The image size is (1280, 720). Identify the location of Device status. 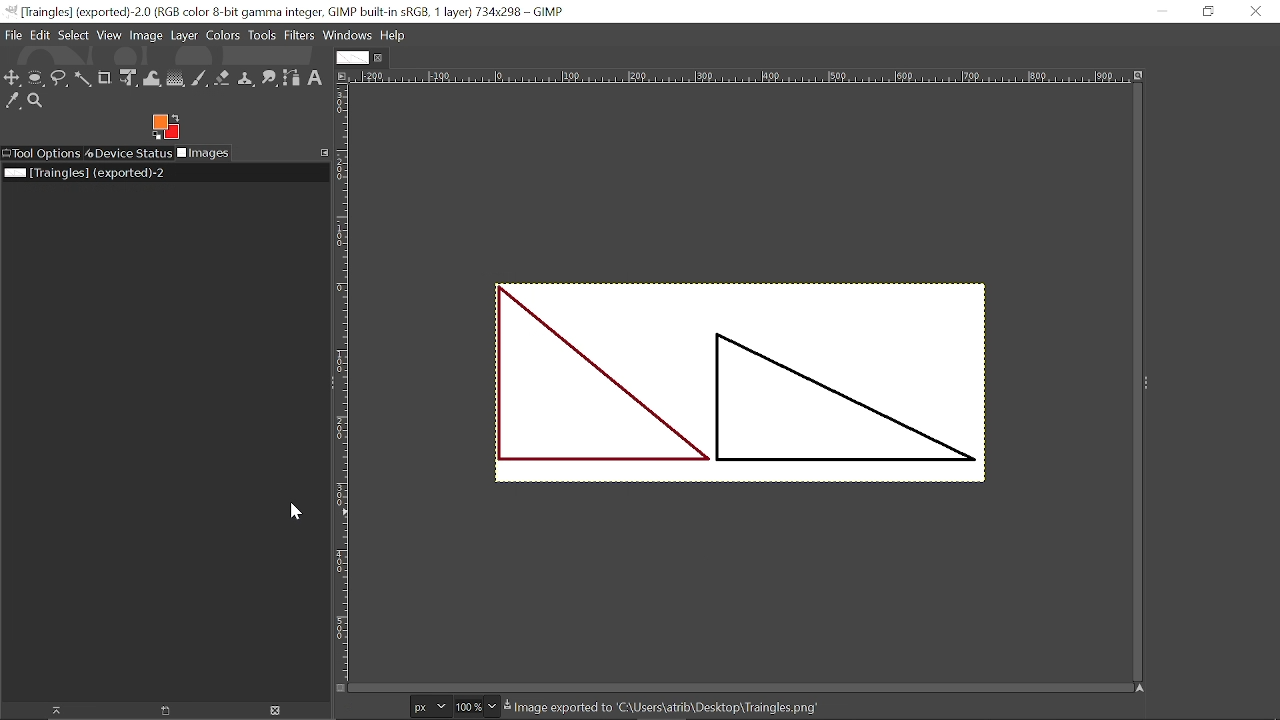
(129, 153).